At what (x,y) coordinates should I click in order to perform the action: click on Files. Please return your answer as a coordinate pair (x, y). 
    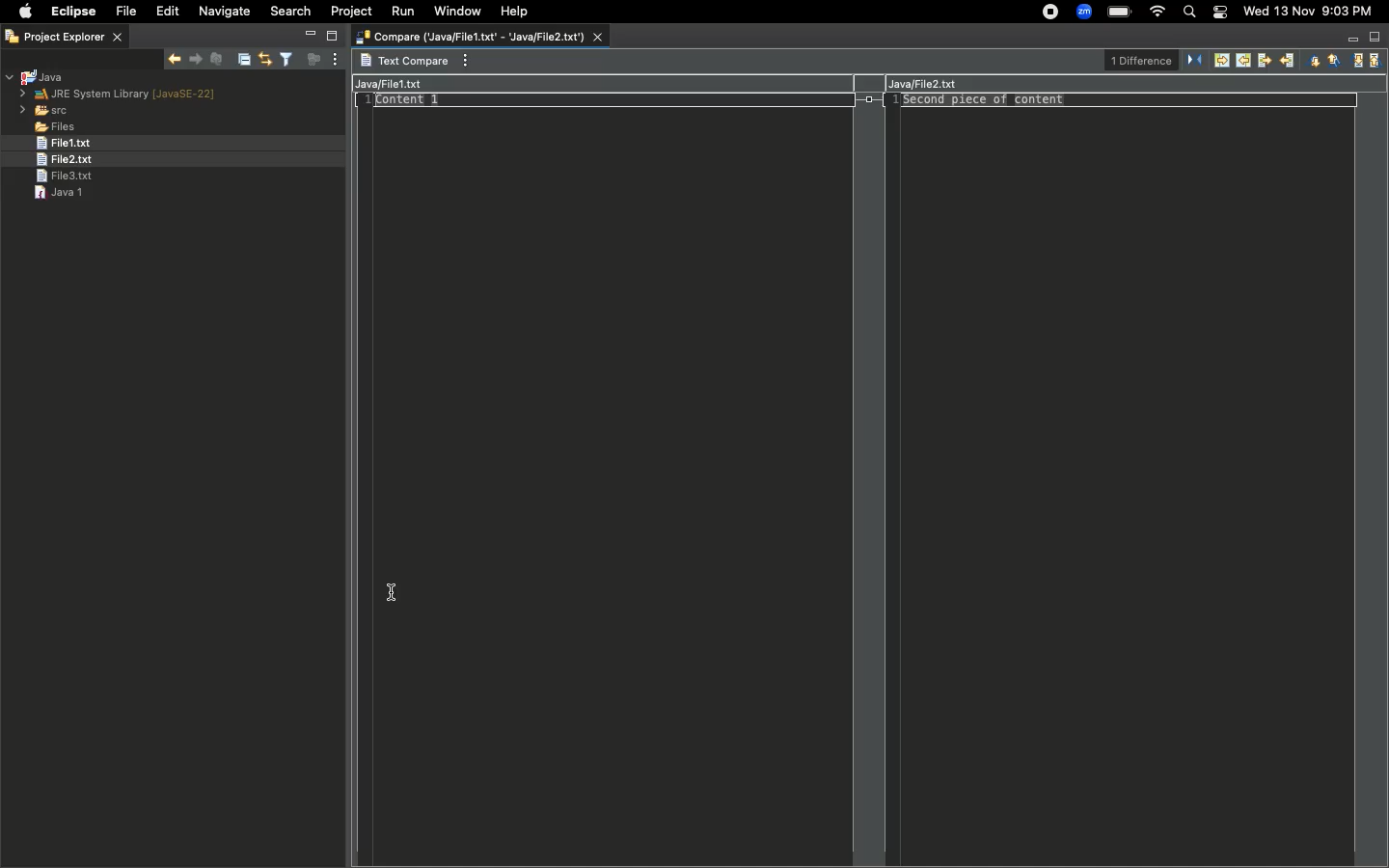
    Looking at the image, I should click on (43, 125).